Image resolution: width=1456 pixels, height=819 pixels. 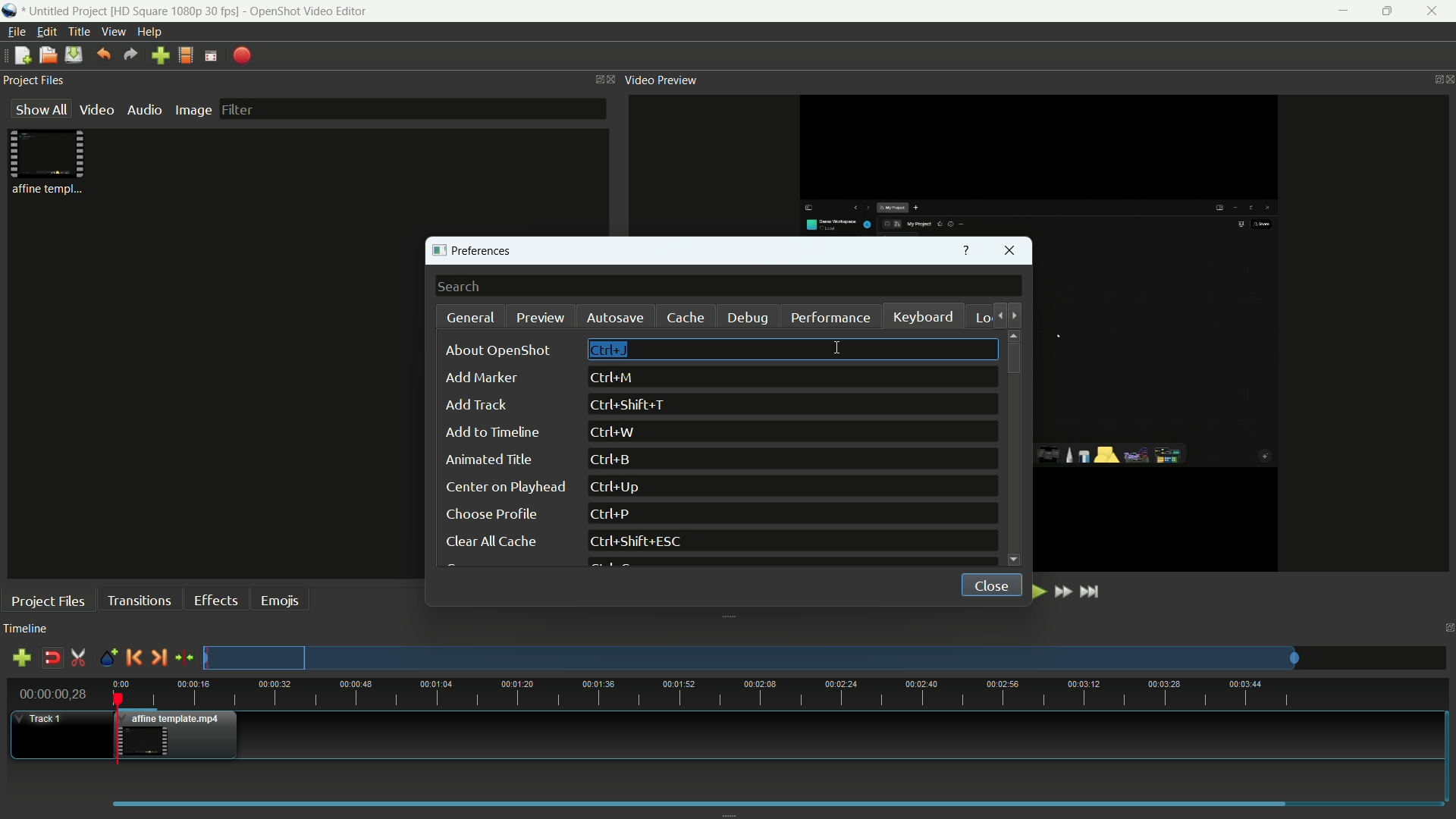 I want to click on preview track, so click(x=750, y=657).